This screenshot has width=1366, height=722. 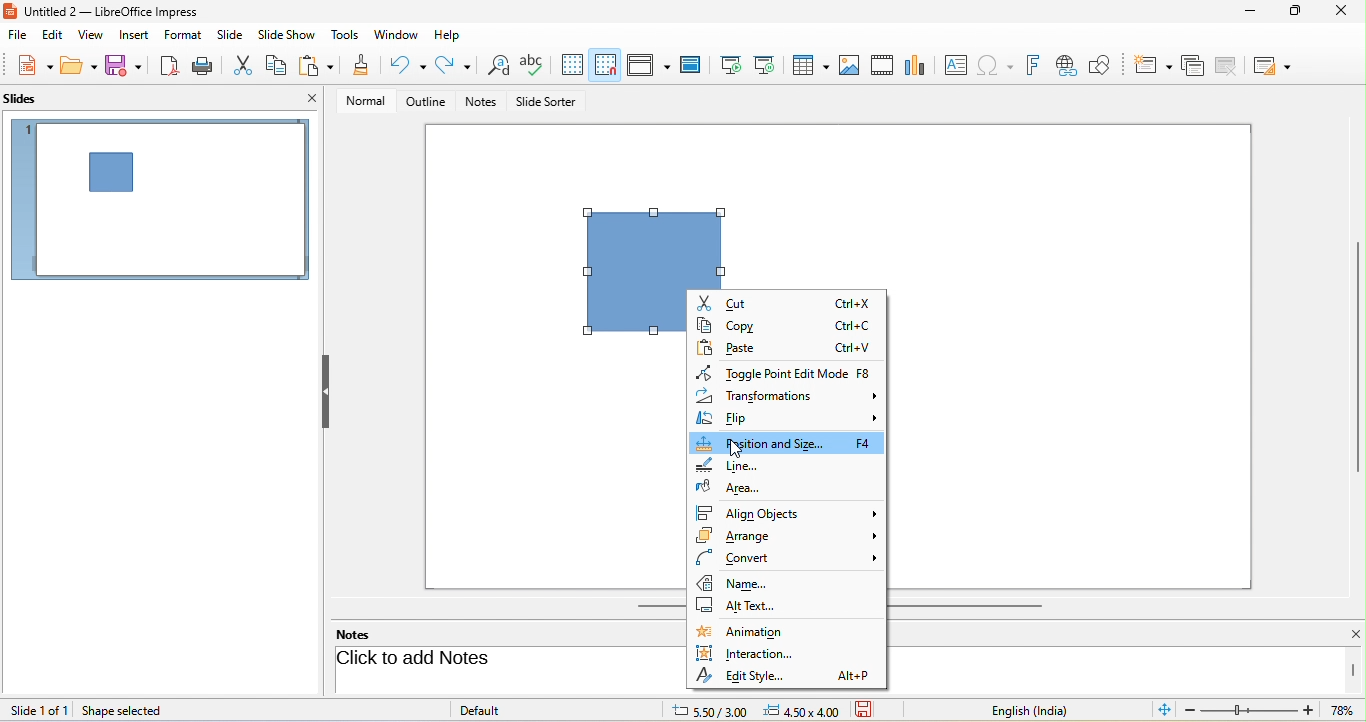 I want to click on window, so click(x=396, y=36).